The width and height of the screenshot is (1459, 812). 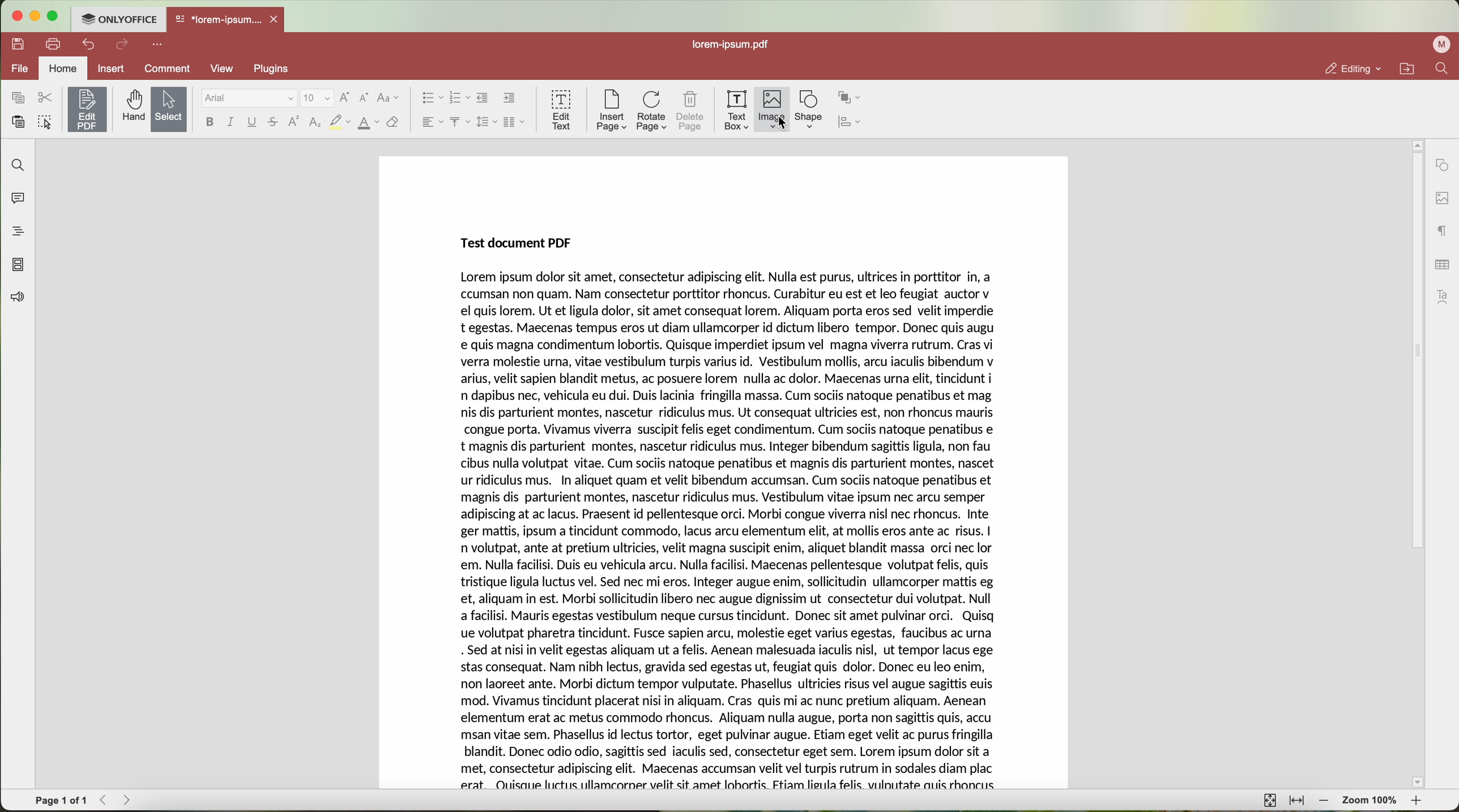 What do you see at coordinates (17, 264) in the screenshot?
I see `page thumbnails` at bounding box center [17, 264].